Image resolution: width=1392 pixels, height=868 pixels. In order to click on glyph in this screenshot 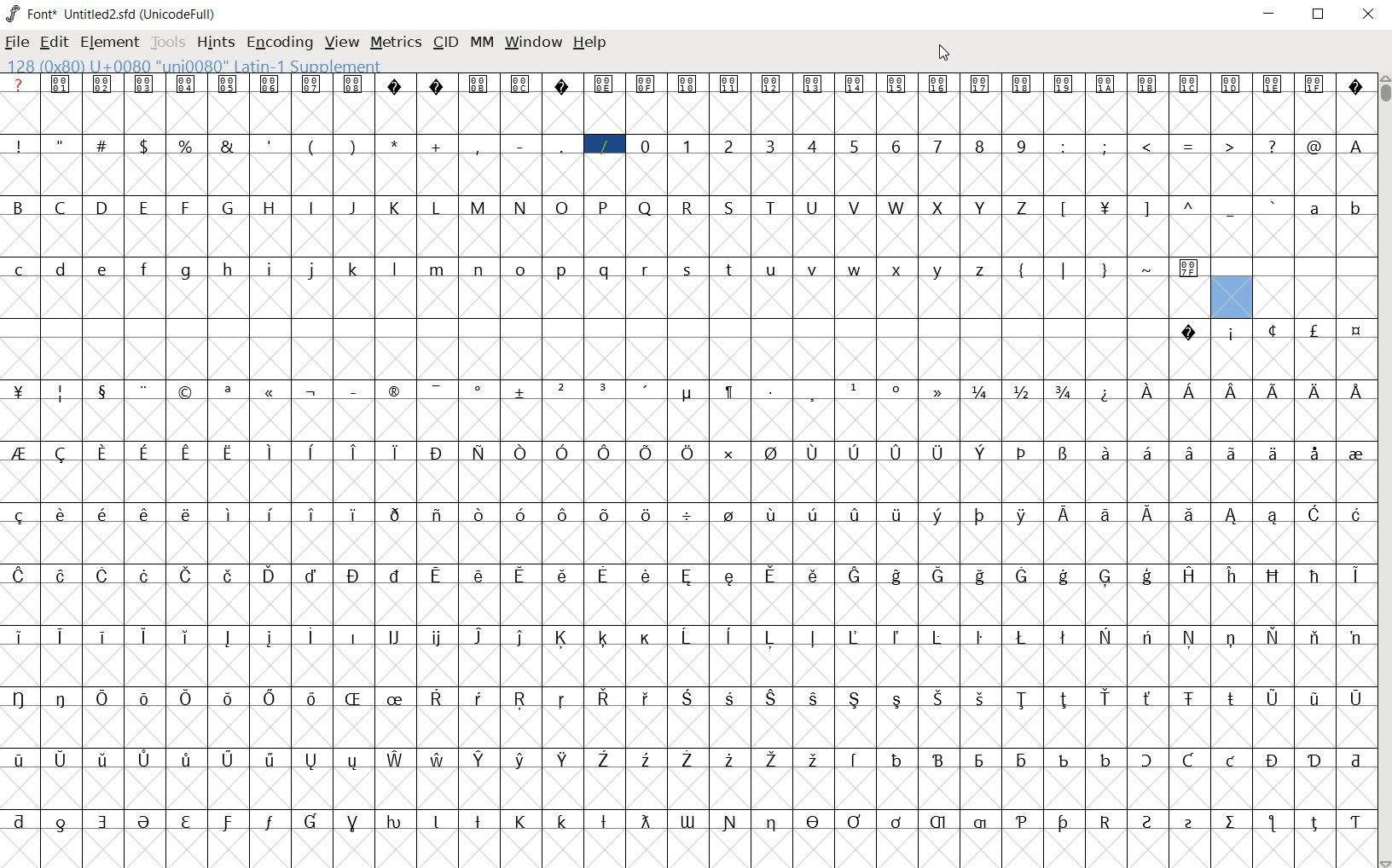, I will do `click(103, 393)`.